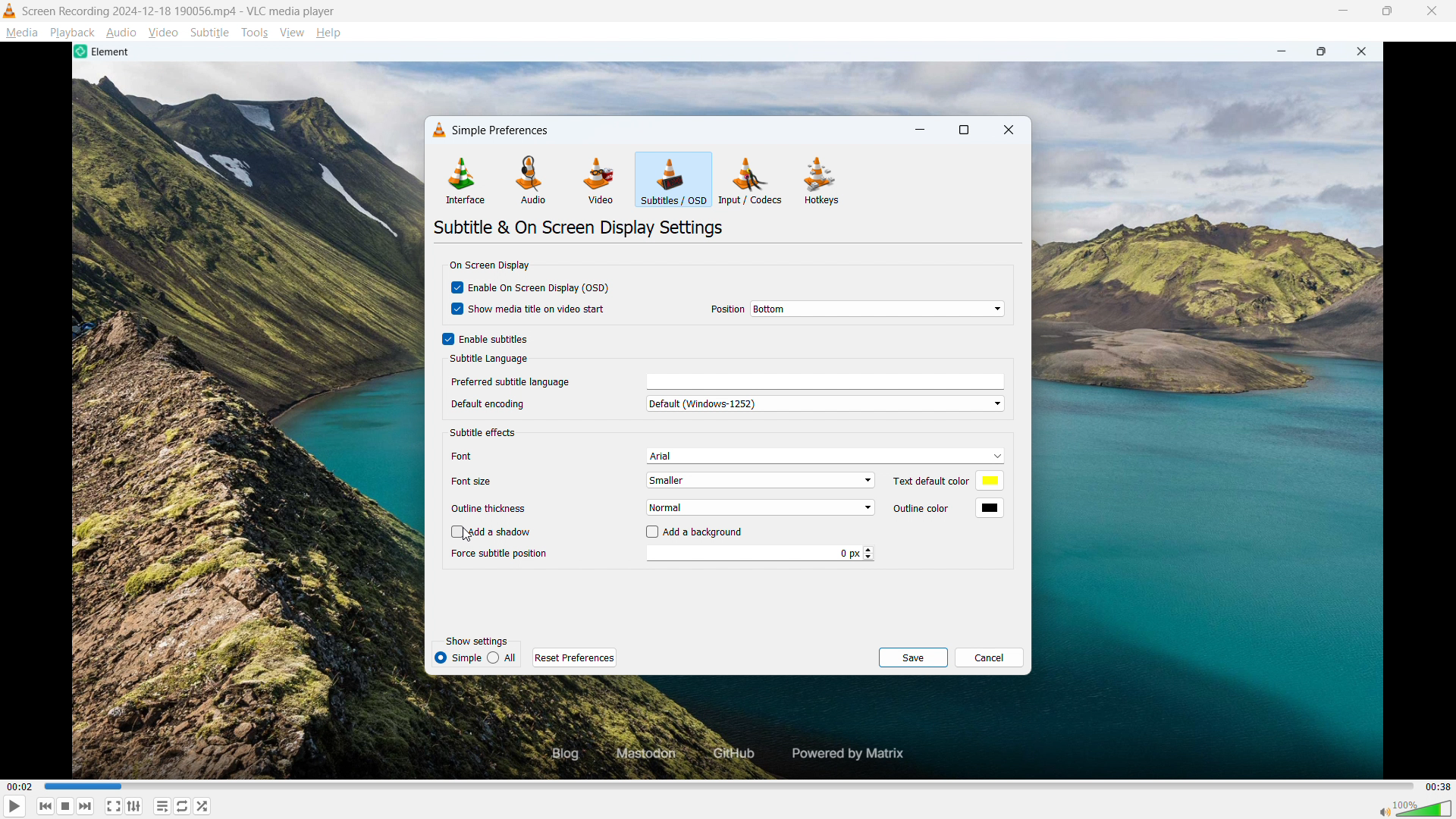  I want to click on Add background, so click(706, 532).